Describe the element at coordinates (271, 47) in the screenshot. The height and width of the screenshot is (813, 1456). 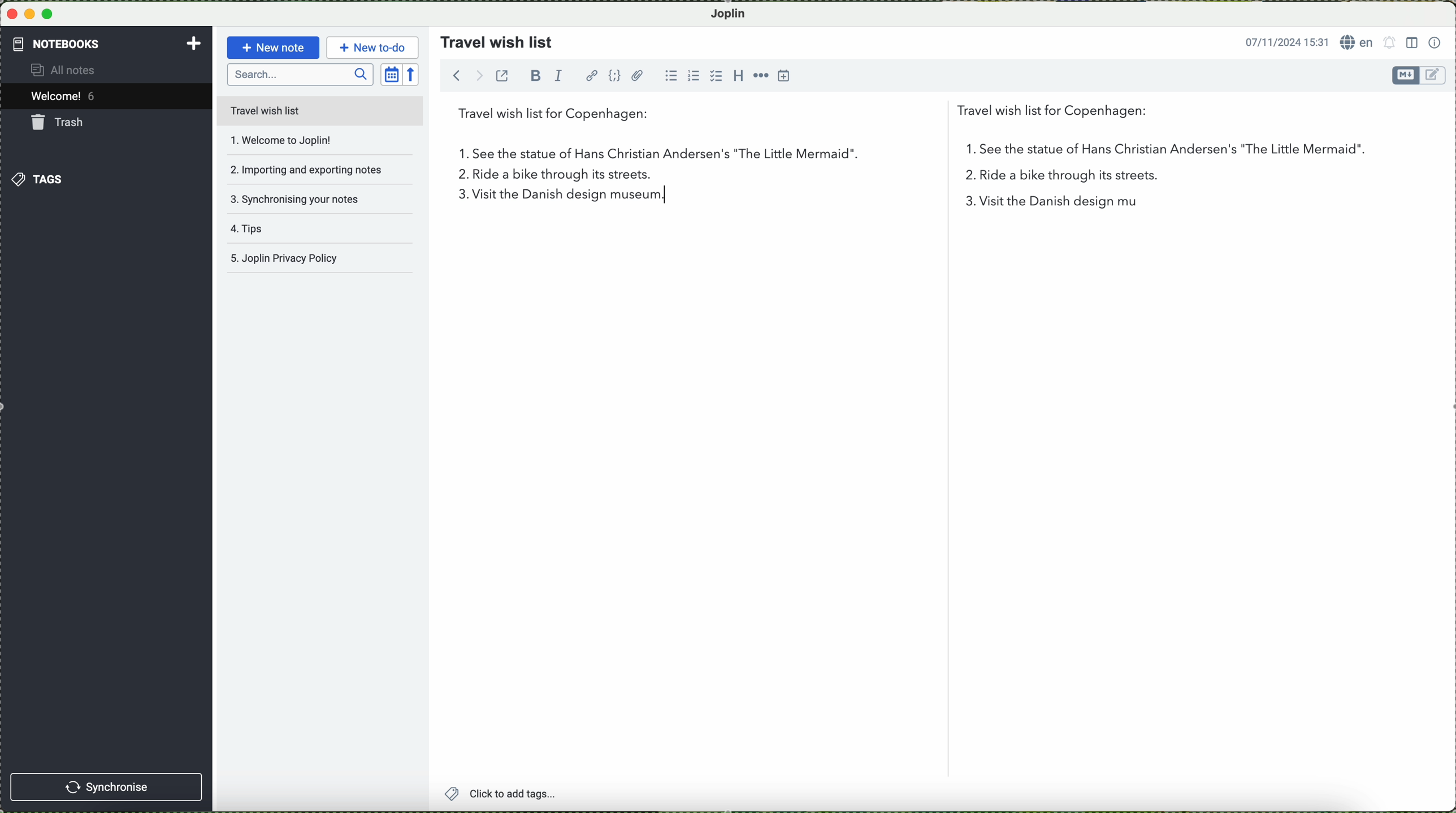
I see `new note button` at that location.